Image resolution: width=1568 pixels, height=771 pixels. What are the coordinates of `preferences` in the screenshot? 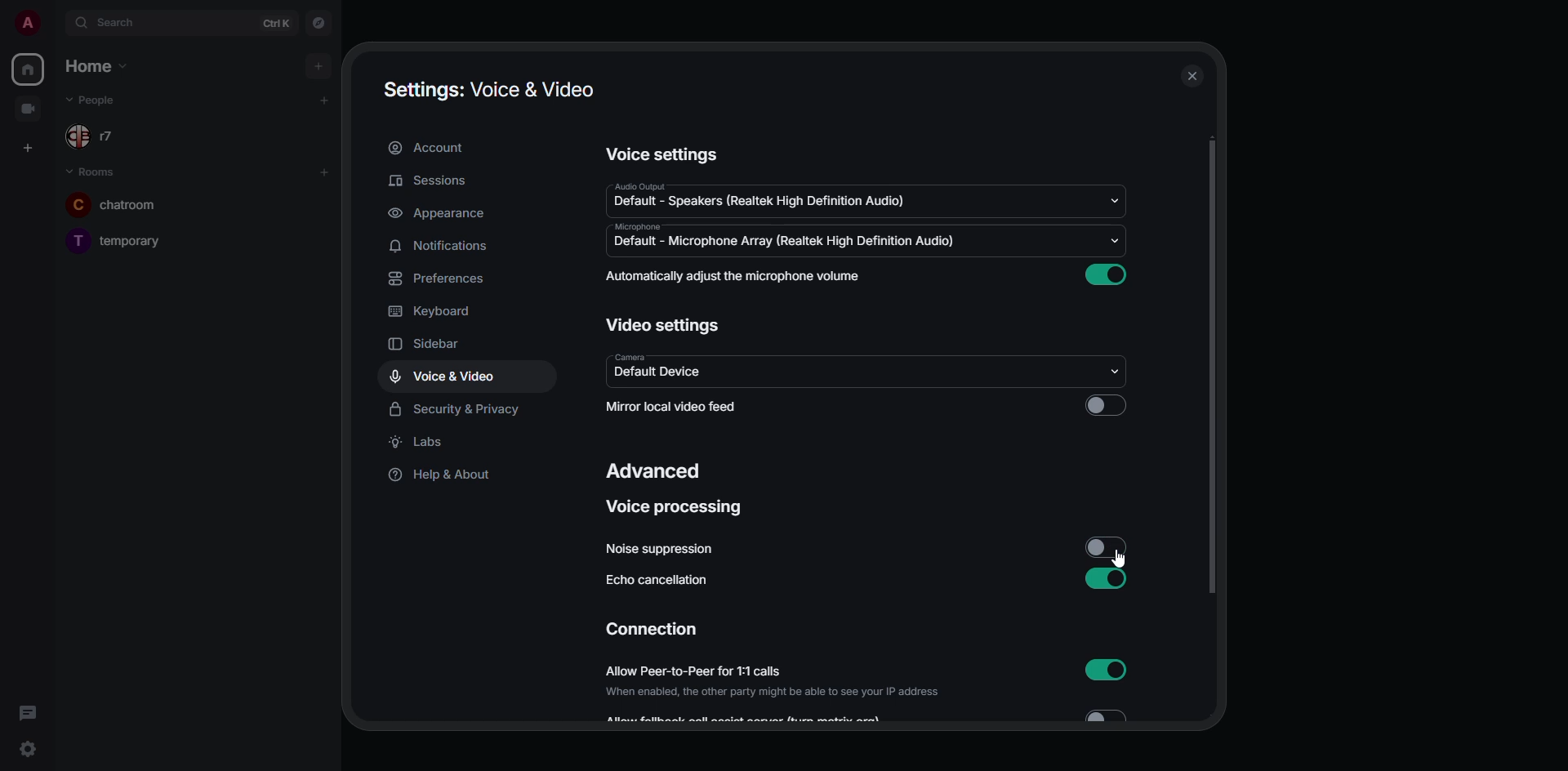 It's located at (442, 279).